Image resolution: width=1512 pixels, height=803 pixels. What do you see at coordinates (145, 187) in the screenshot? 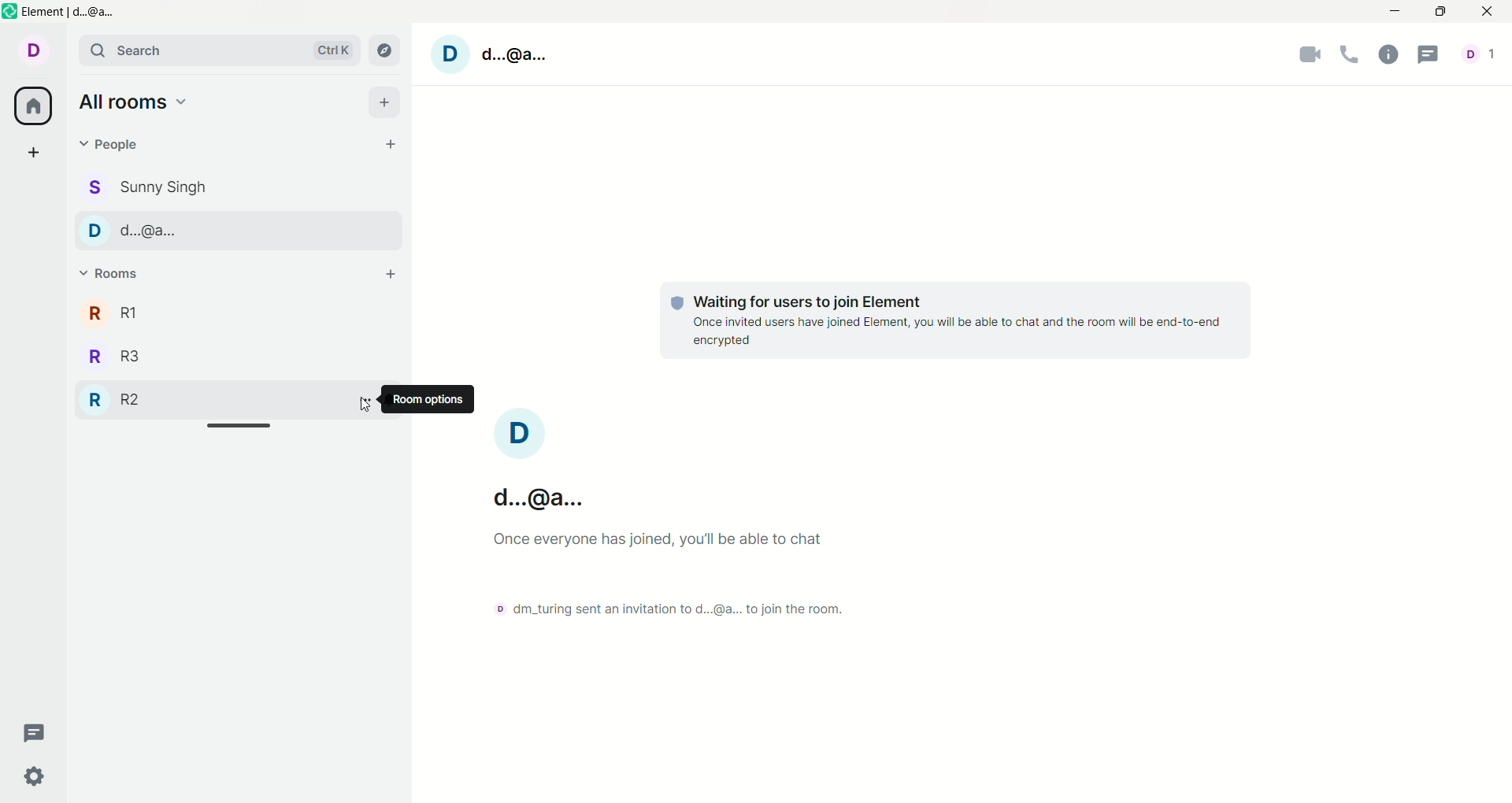
I see `Sunny Singh chat` at bounding box center [145, 187].